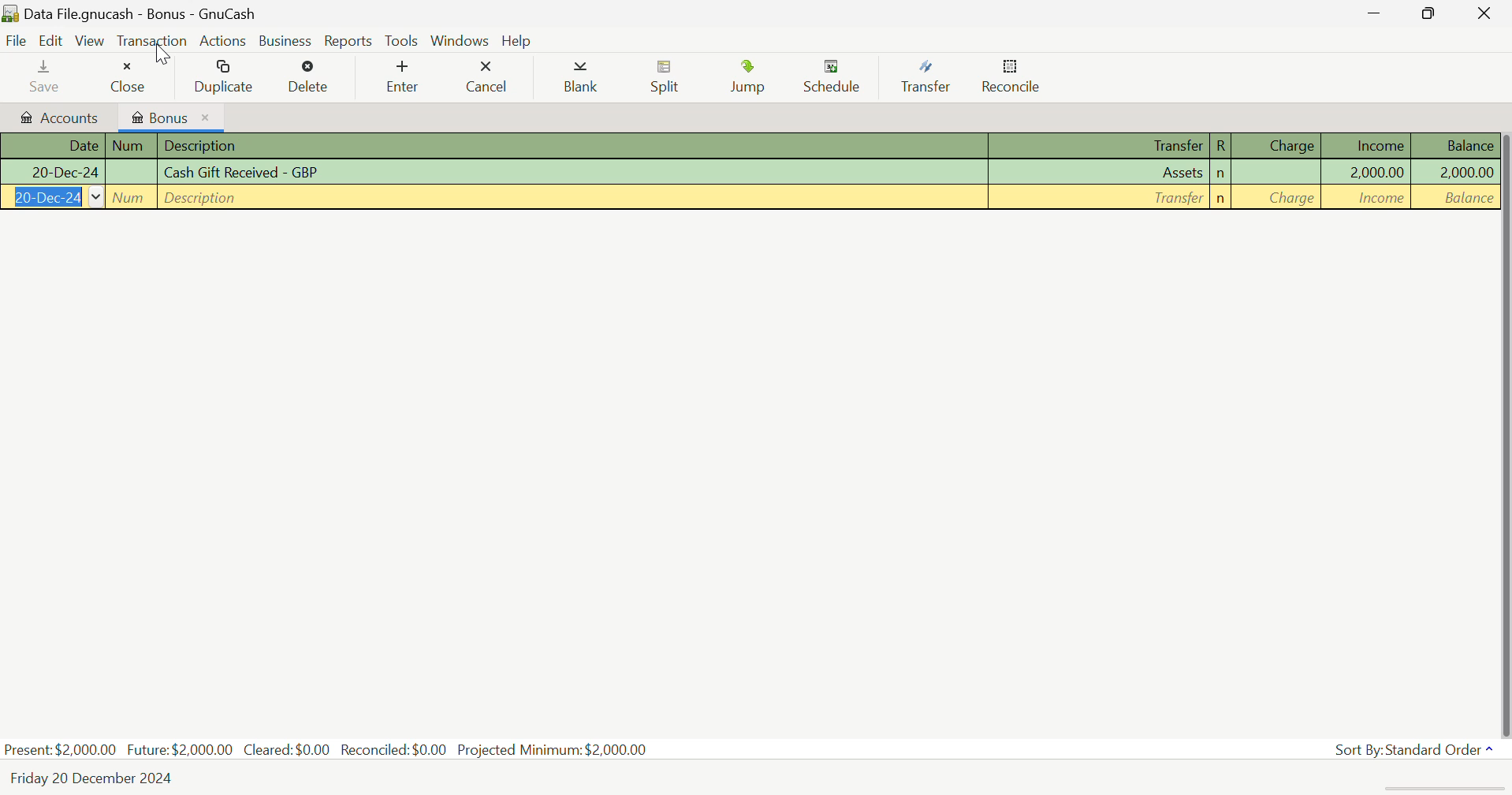 The image size is (1512, 795). Describe the element at coordinates (1279, 198) in the screenshot. I see `Charge` at that location.